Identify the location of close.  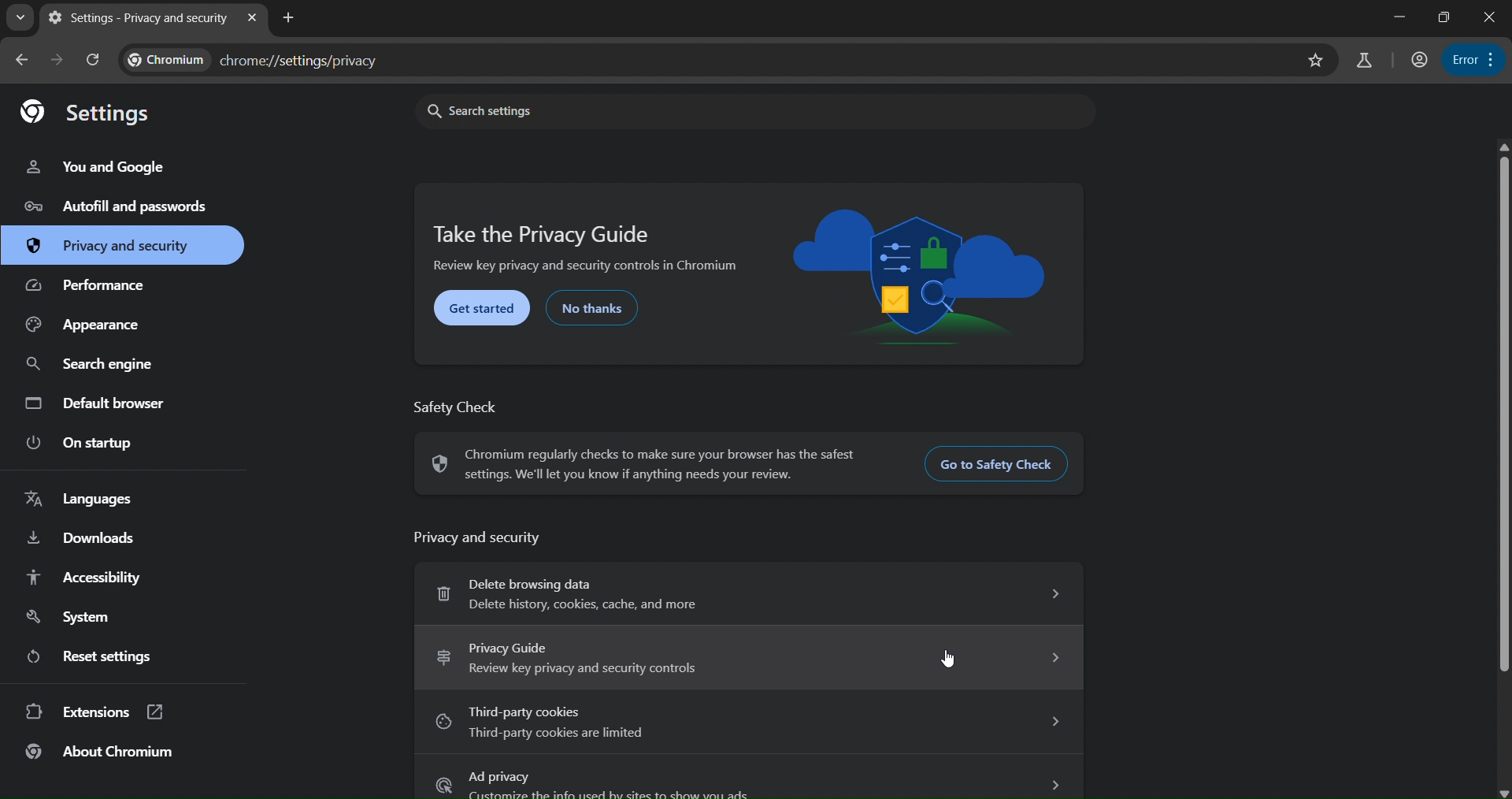
(1492, 17).